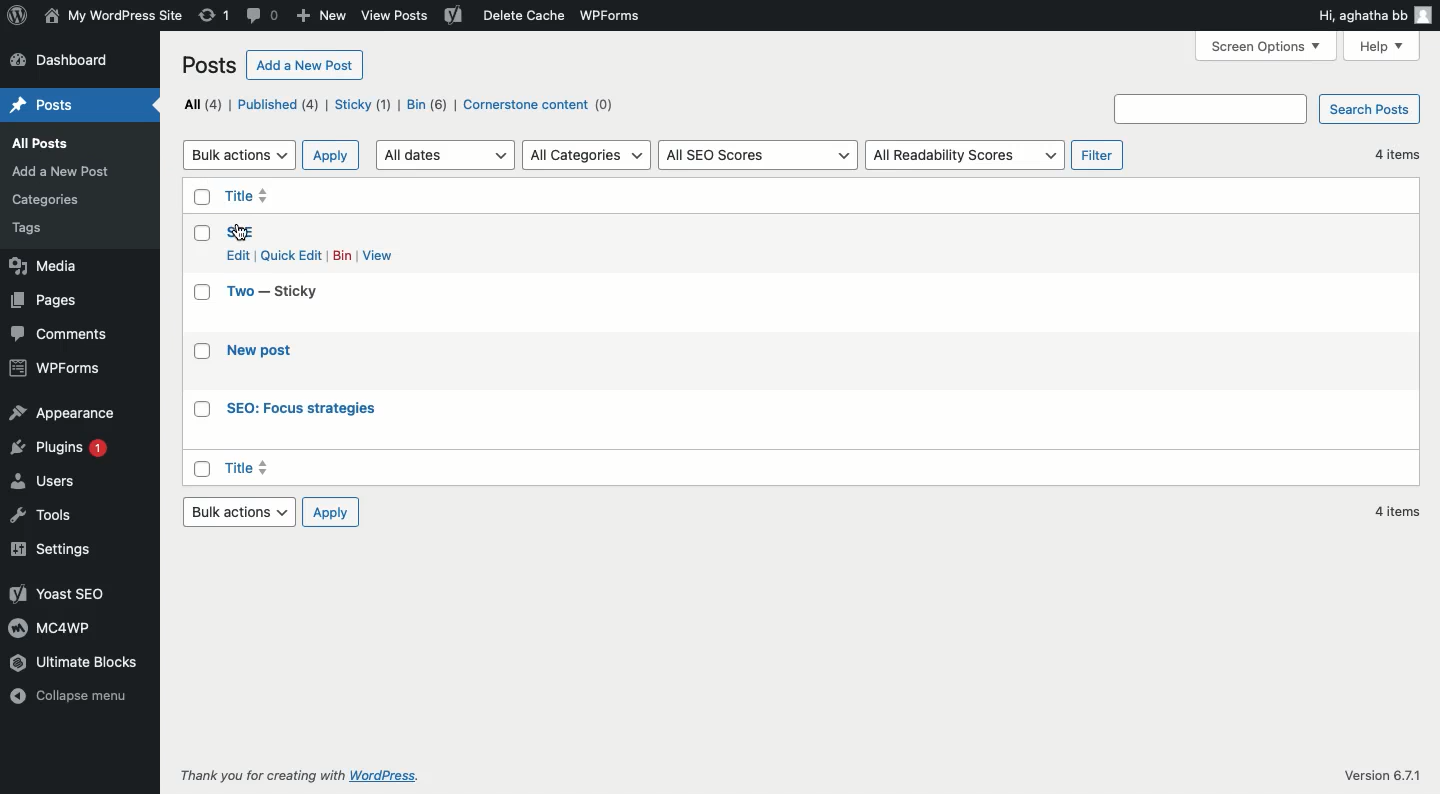 The image size is (1440, 794). What do you see at coordinates (65, 415) in the screenshot?
I see `Appearance` at bounding box center [65, 415].